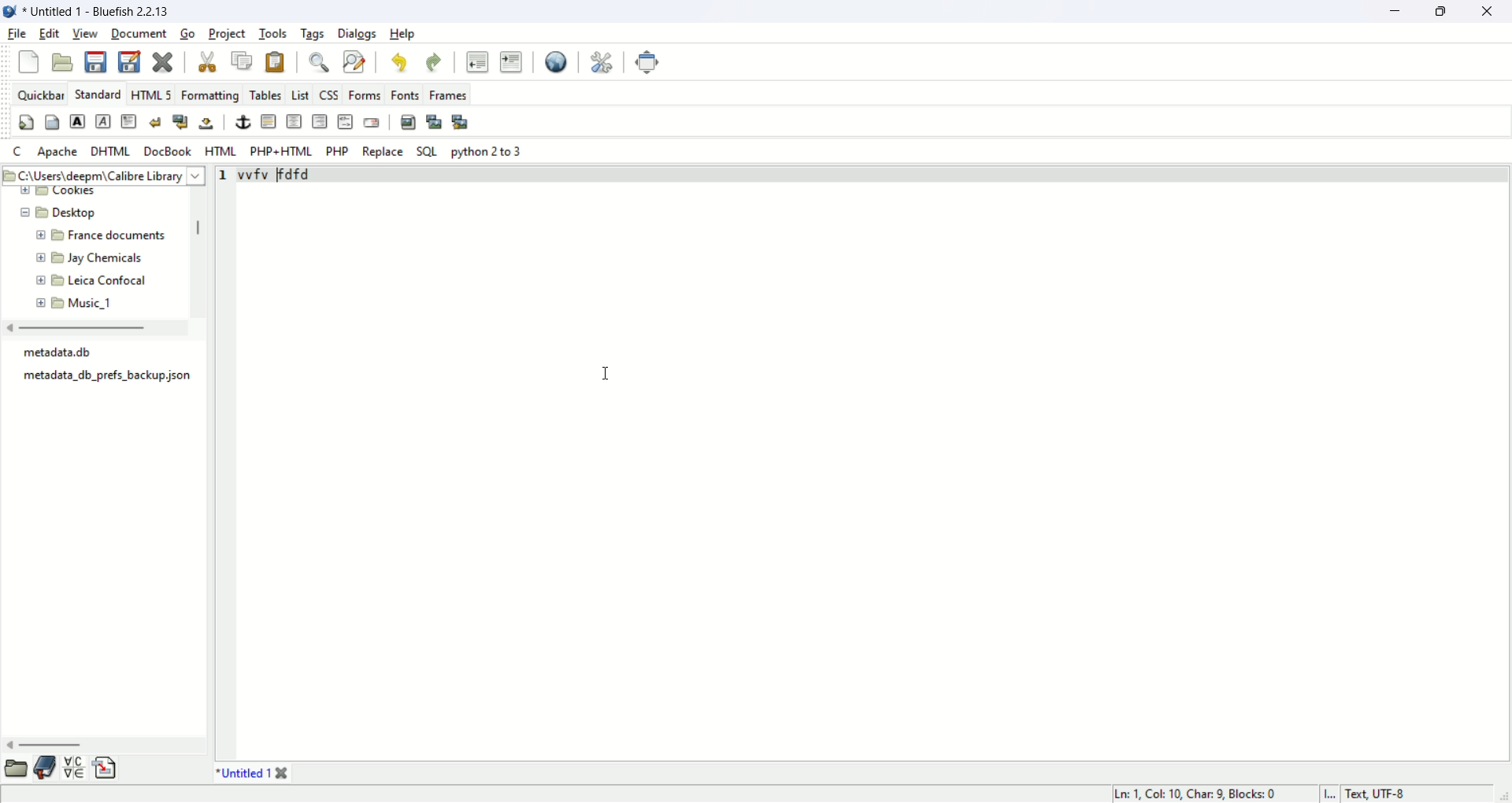  What do you see at coordinates (163, 61) in the screenshot?
I see `close` at bounding box center [163, 61].